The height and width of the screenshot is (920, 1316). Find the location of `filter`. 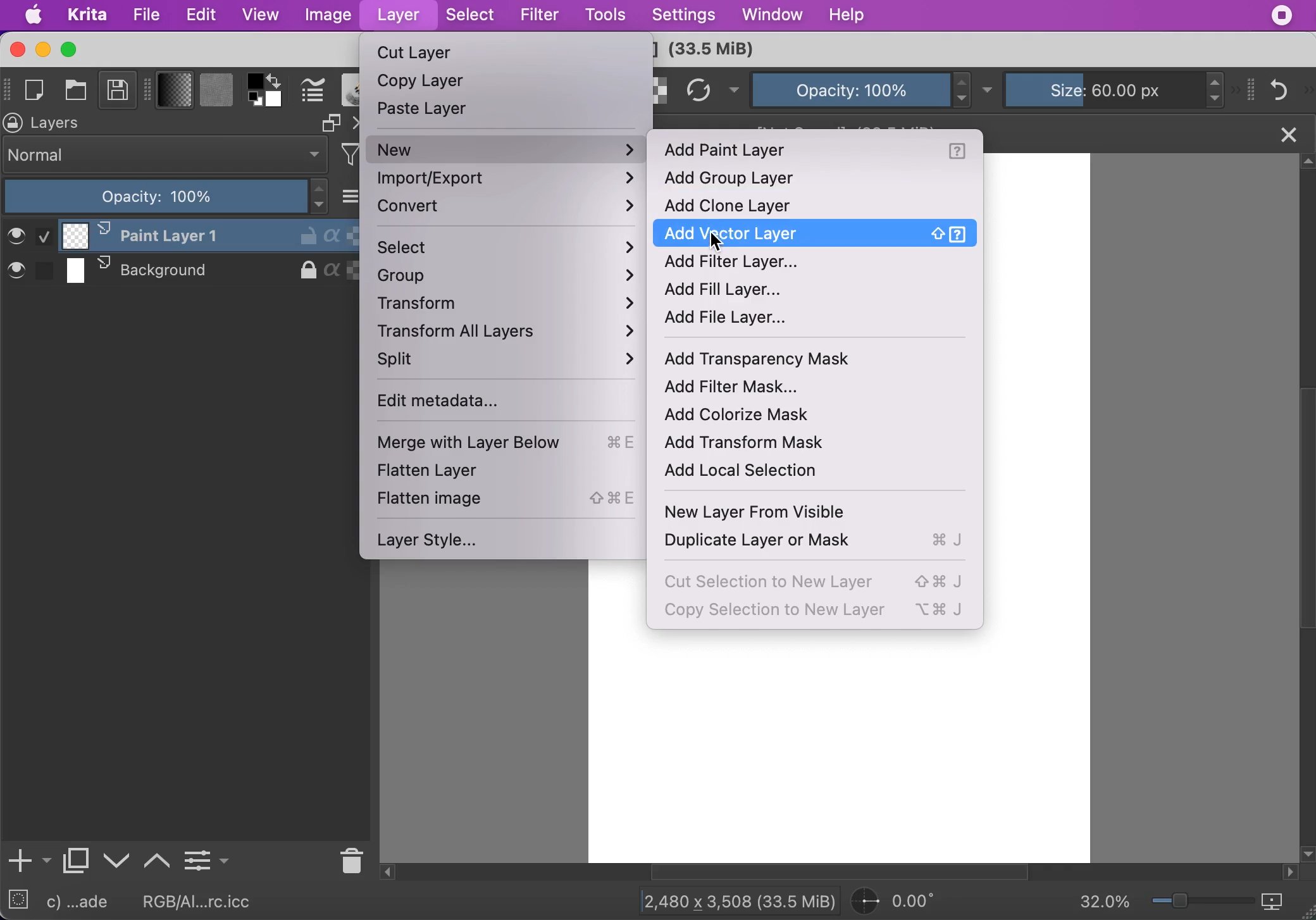

filter is located at coordinates (539, 15).